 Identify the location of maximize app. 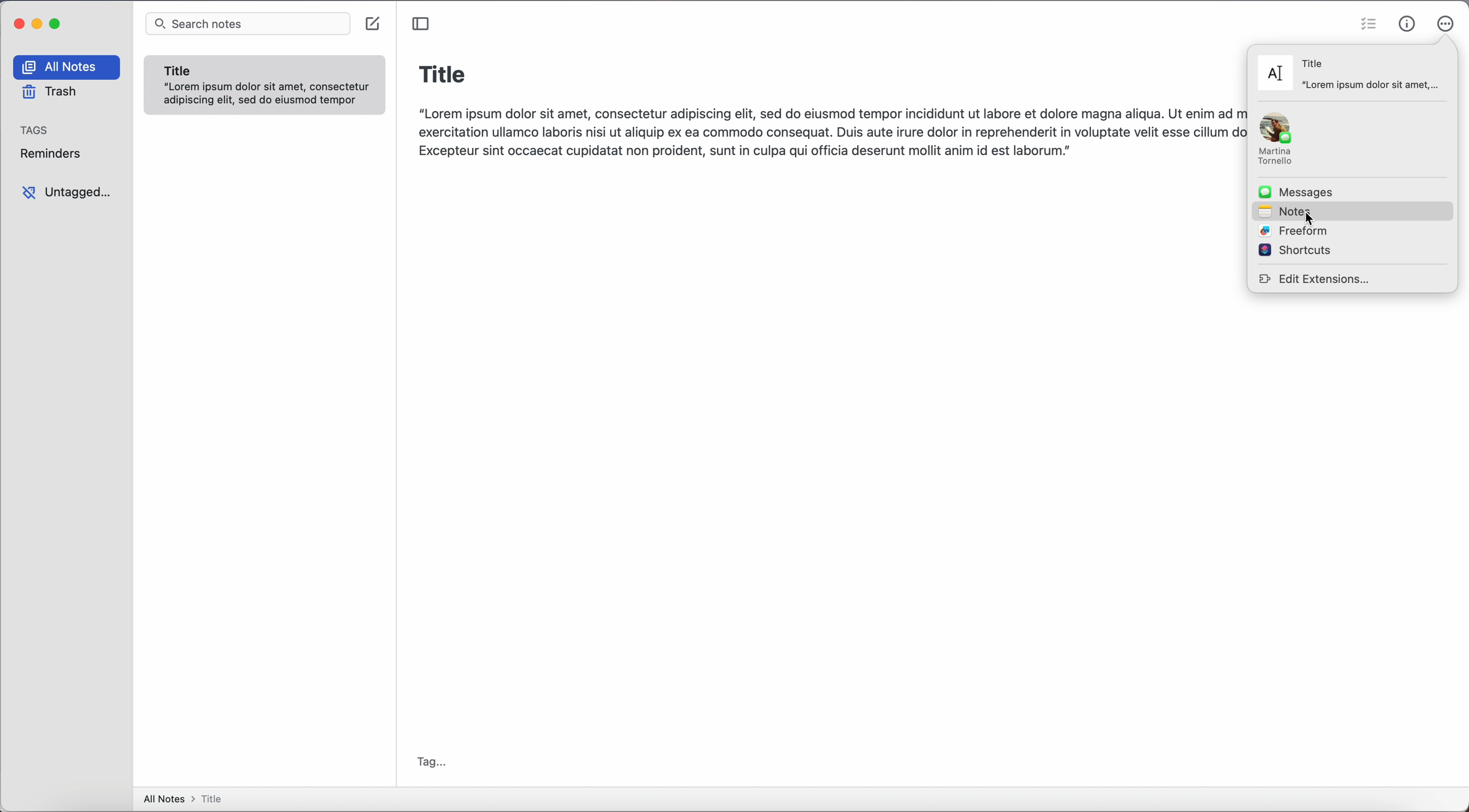
(58, 23).